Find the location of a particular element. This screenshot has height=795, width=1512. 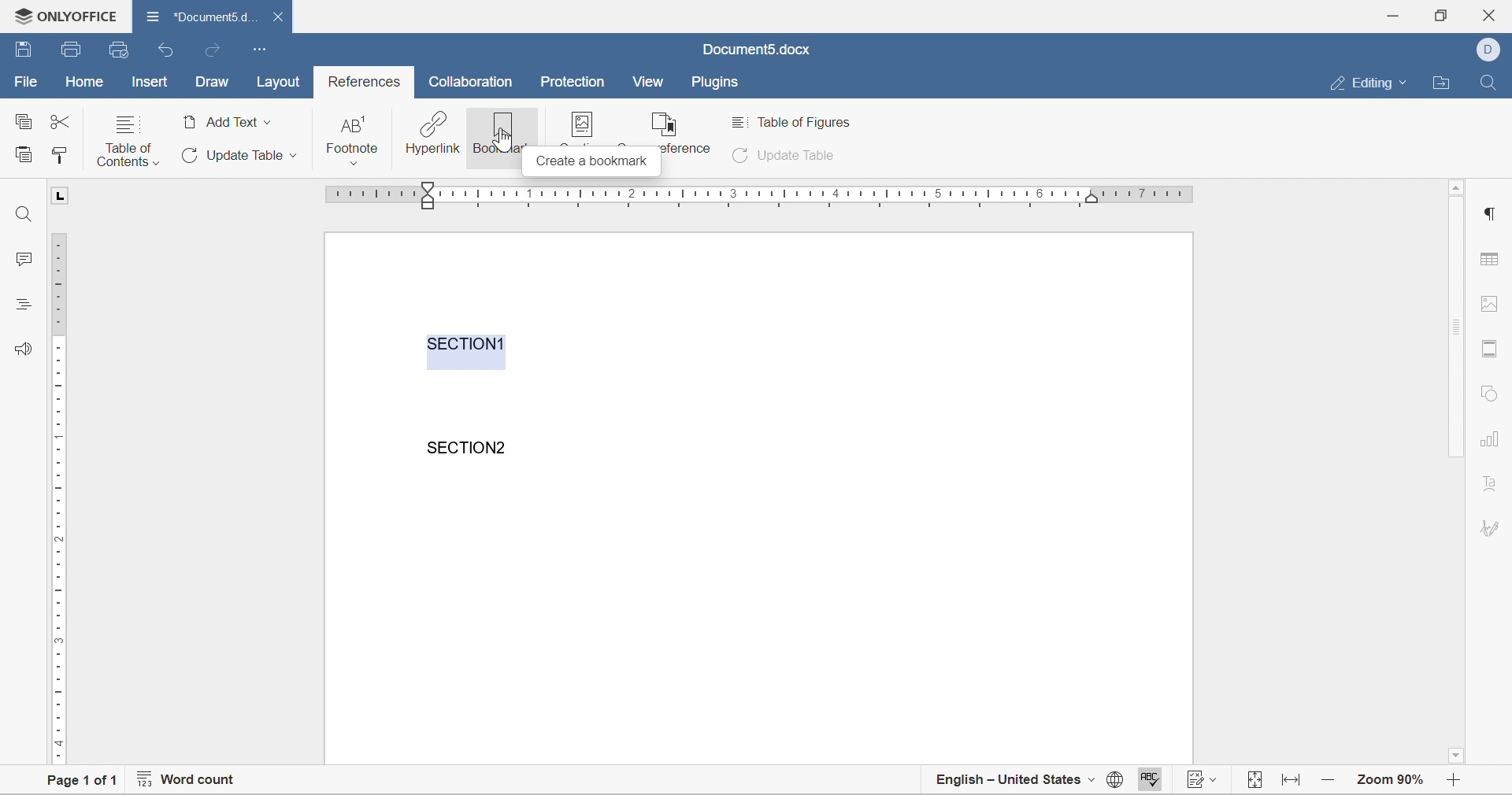

headings is located at coordinates (21, 302).